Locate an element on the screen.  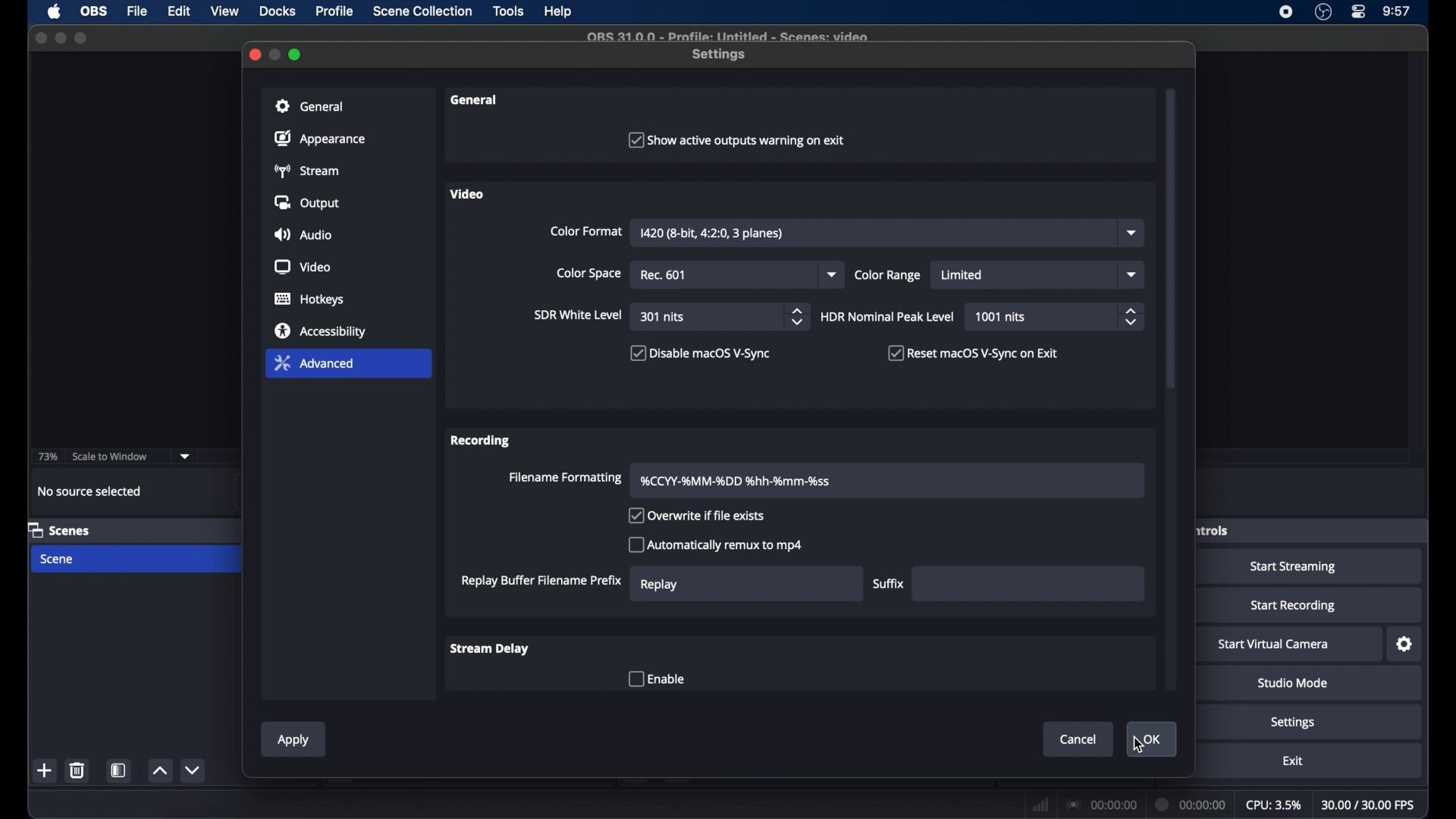
filename is located at coordinates (737, 482).